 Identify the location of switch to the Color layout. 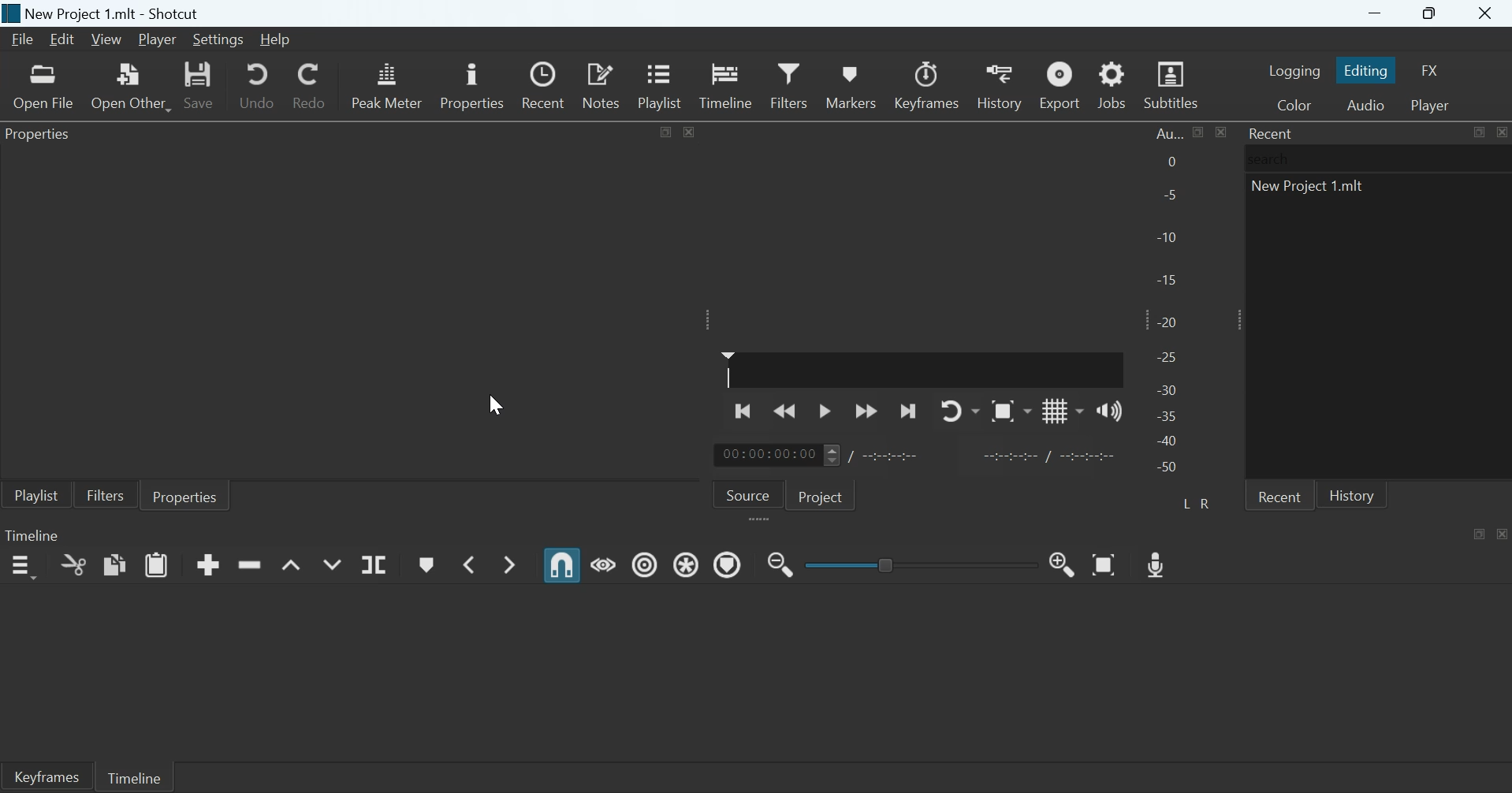
(1294, 104).